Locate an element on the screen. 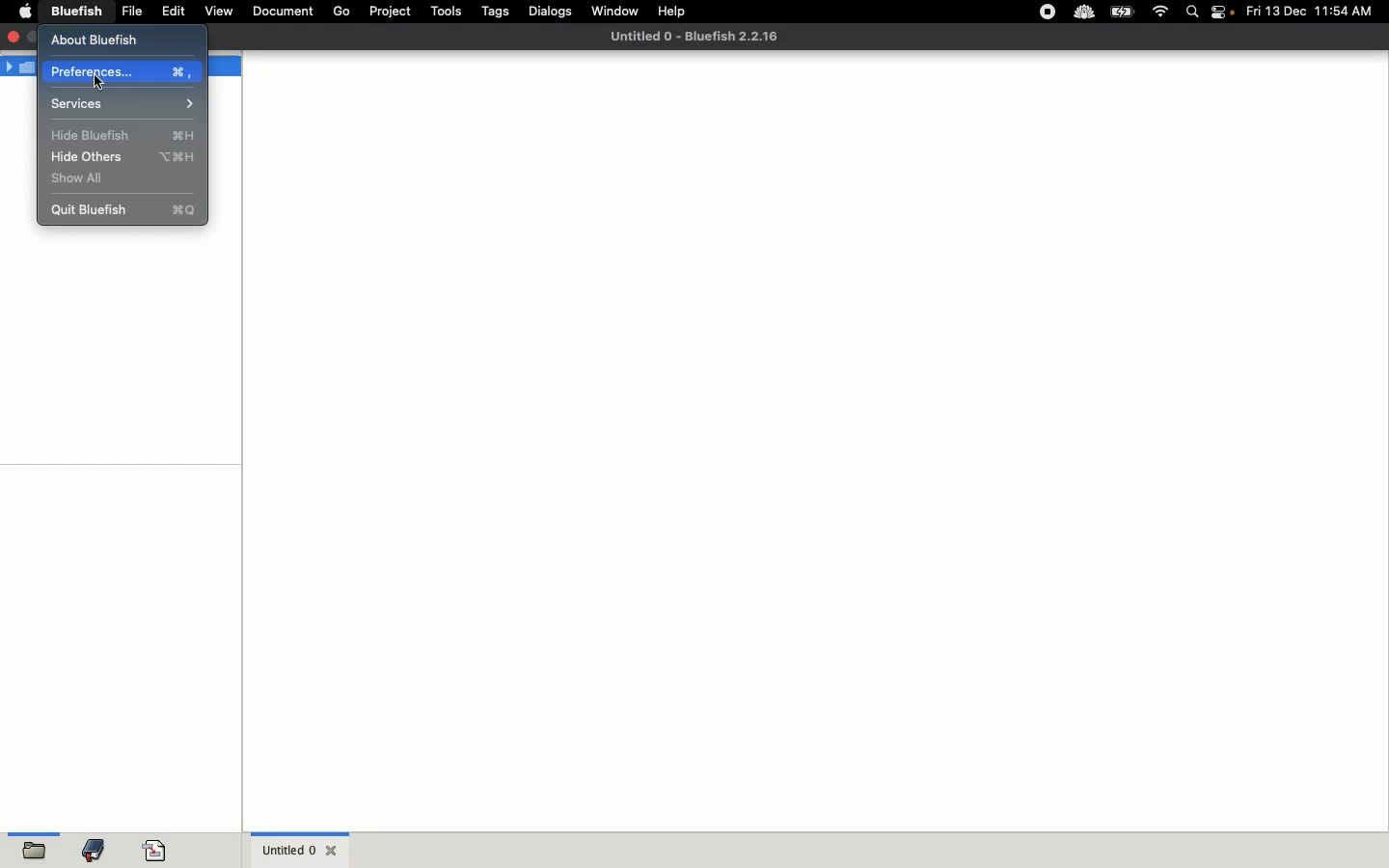  Search is located at coordinates (1193, 14).